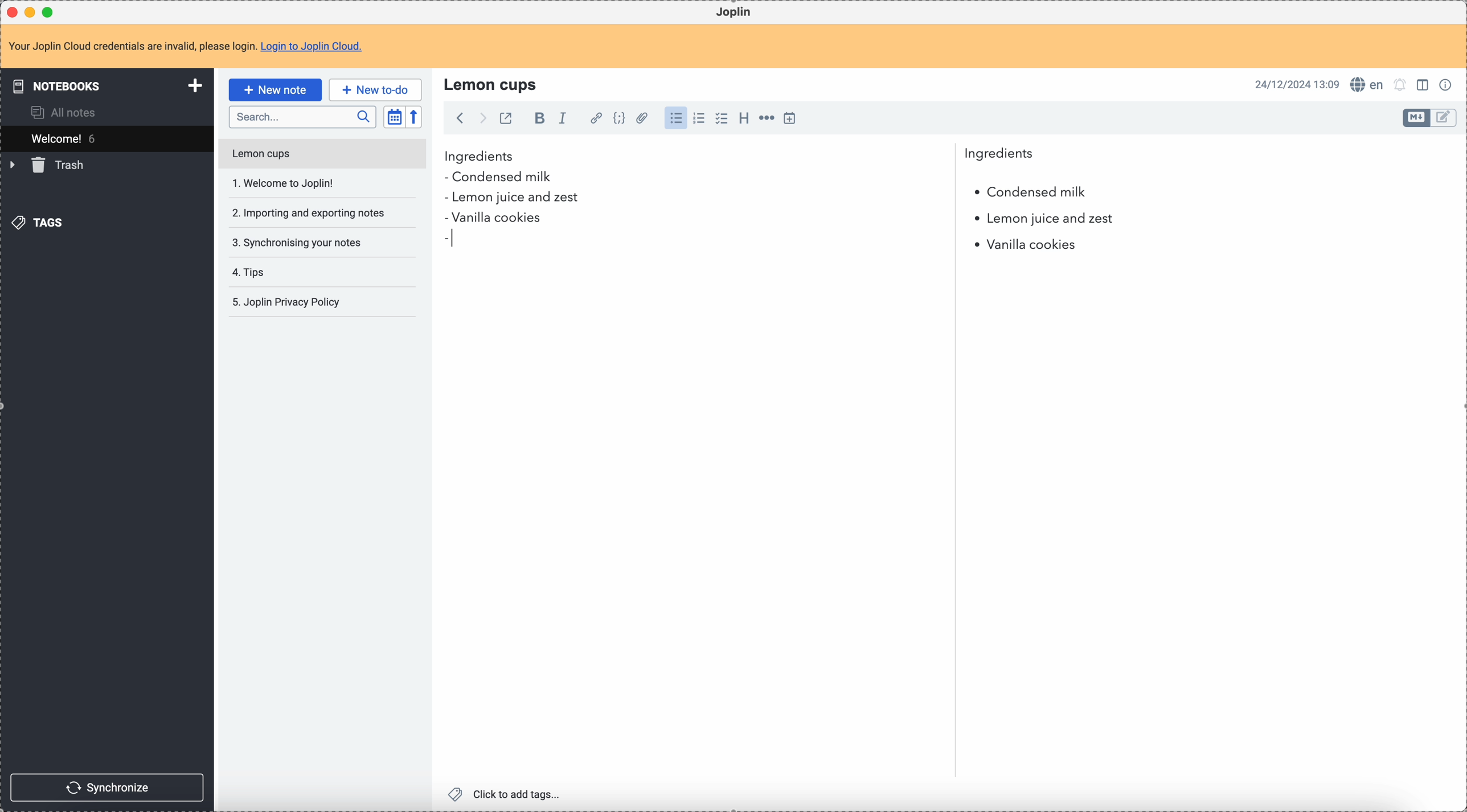 Image resolution: width=1467 pixels, height=812 pixels. Describe the element at coordinates (284, 183) in the screenshot. I see `welcome to Joplin!` at that location.